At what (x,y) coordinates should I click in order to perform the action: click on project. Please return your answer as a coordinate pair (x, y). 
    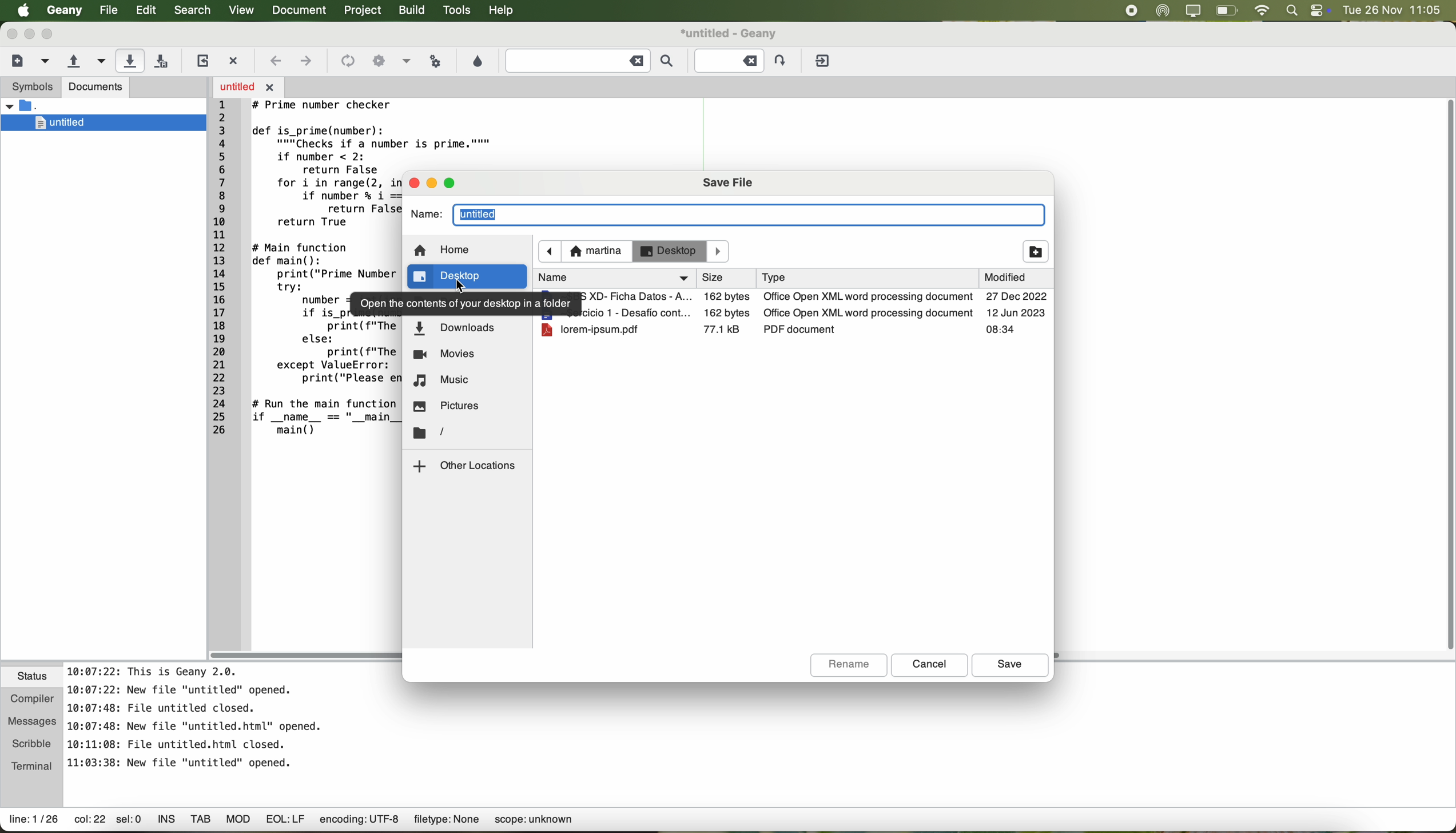
    Looking at the image, I should click on (365, 11).